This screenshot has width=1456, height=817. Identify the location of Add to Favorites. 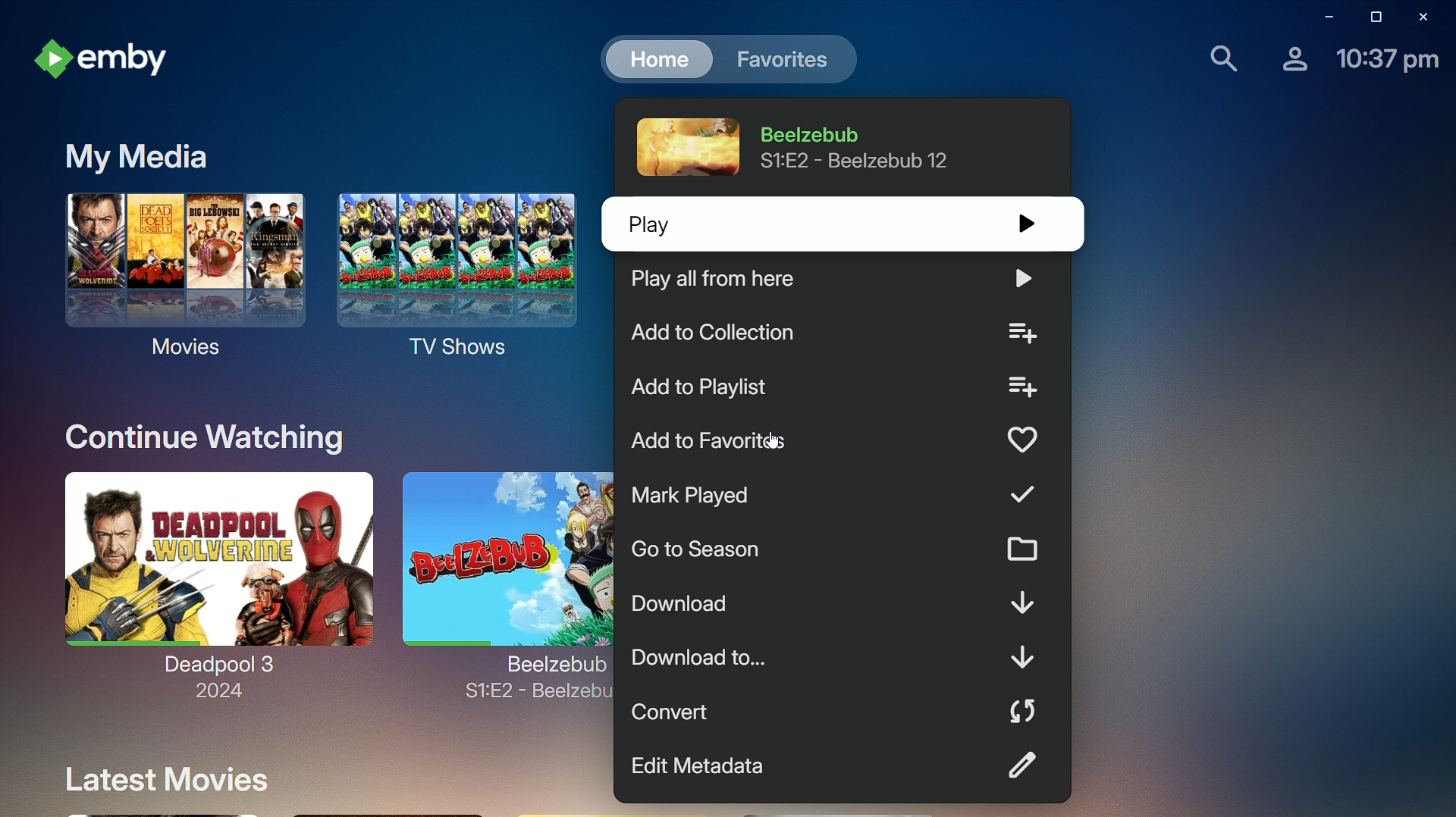
(838, 442).